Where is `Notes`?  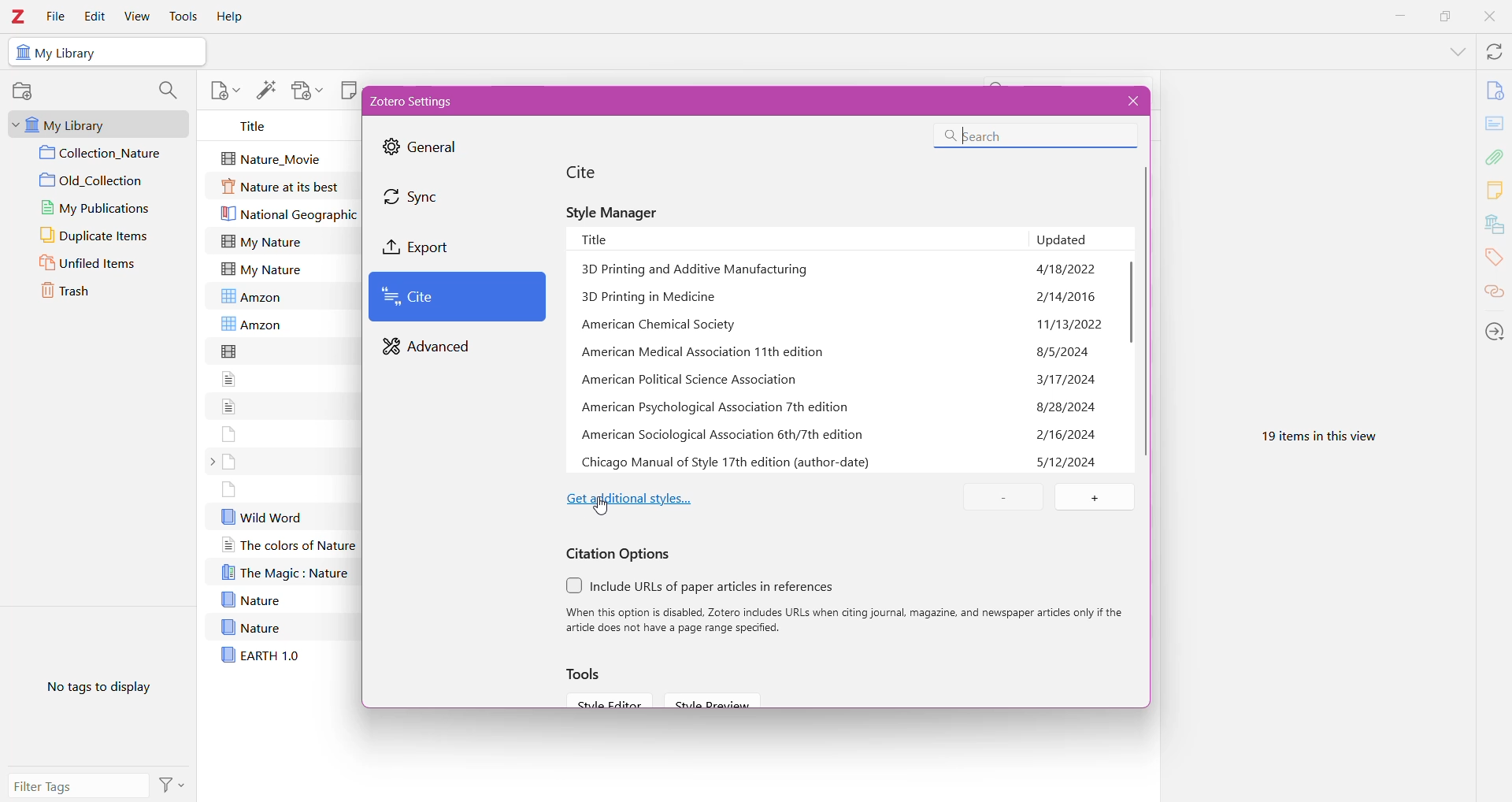 Notes is located at coordinates (1496, 191).